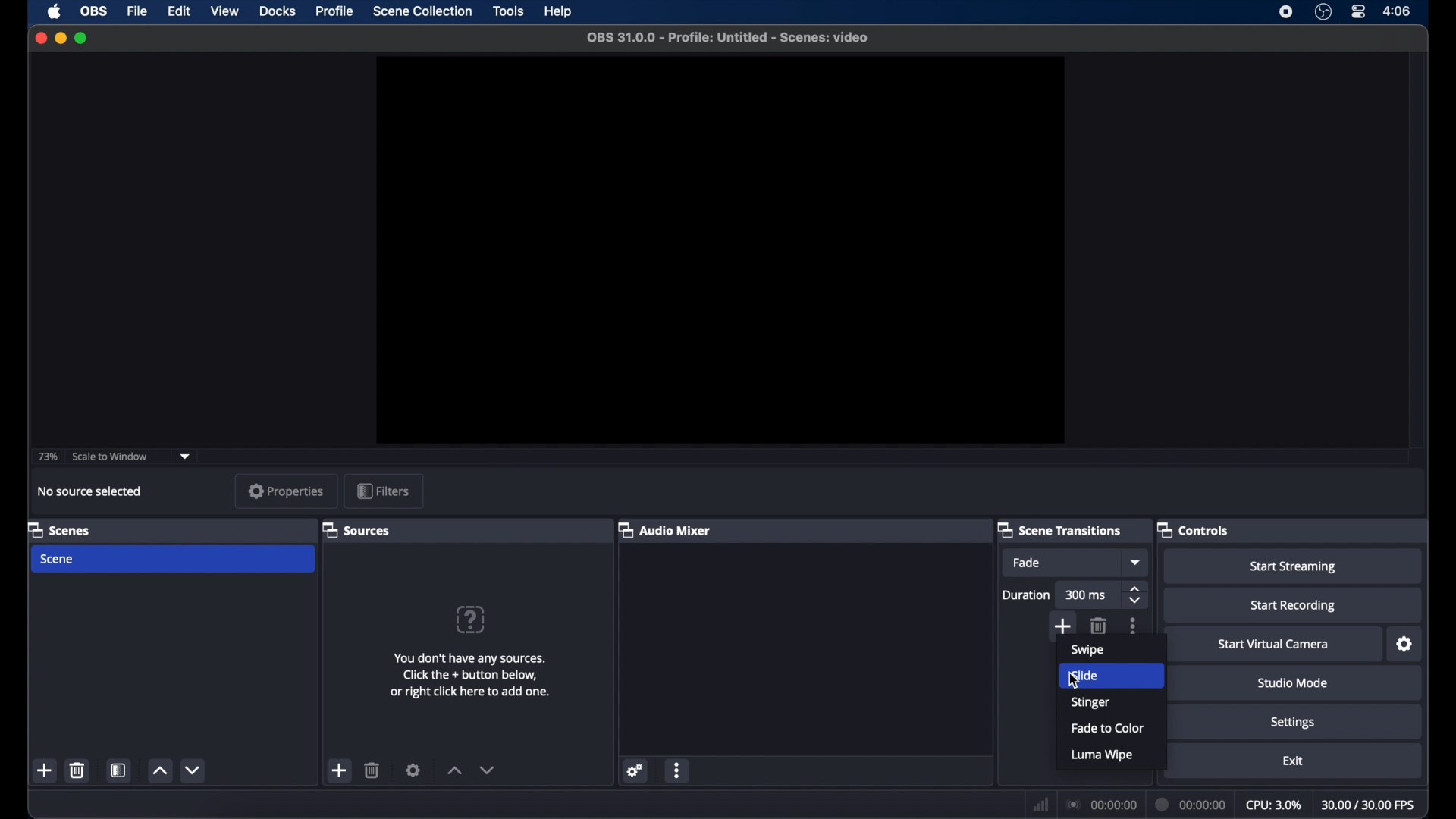 This screenshot has width=1456, height=819. Describe the element at coordinates (1103, 755) in the screenshot. I see `luma wipe` at that location.